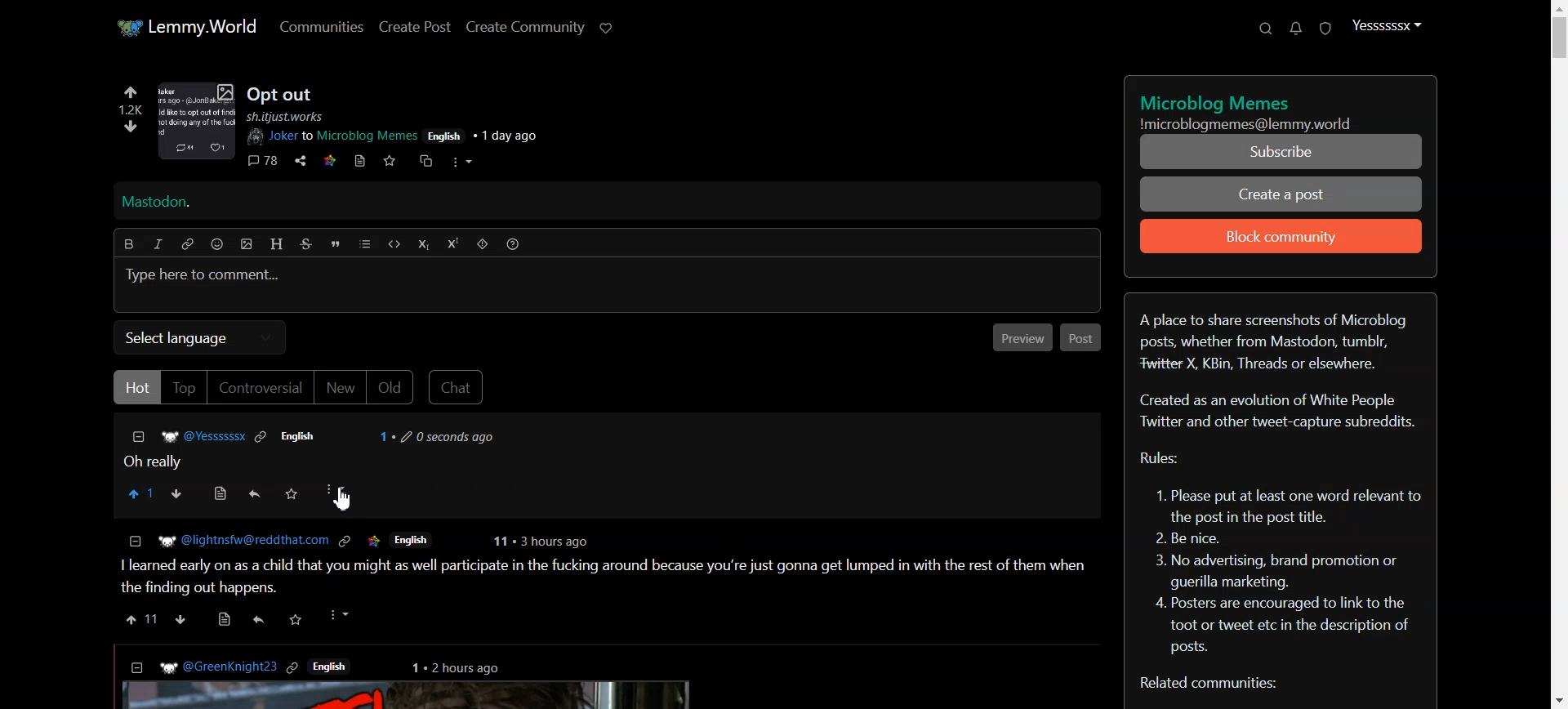 This screenshot has height=709, width=1568. What do you see at coordinates (328, 161) in the screenshot?
I see `link` at bounding box center [328, 161].